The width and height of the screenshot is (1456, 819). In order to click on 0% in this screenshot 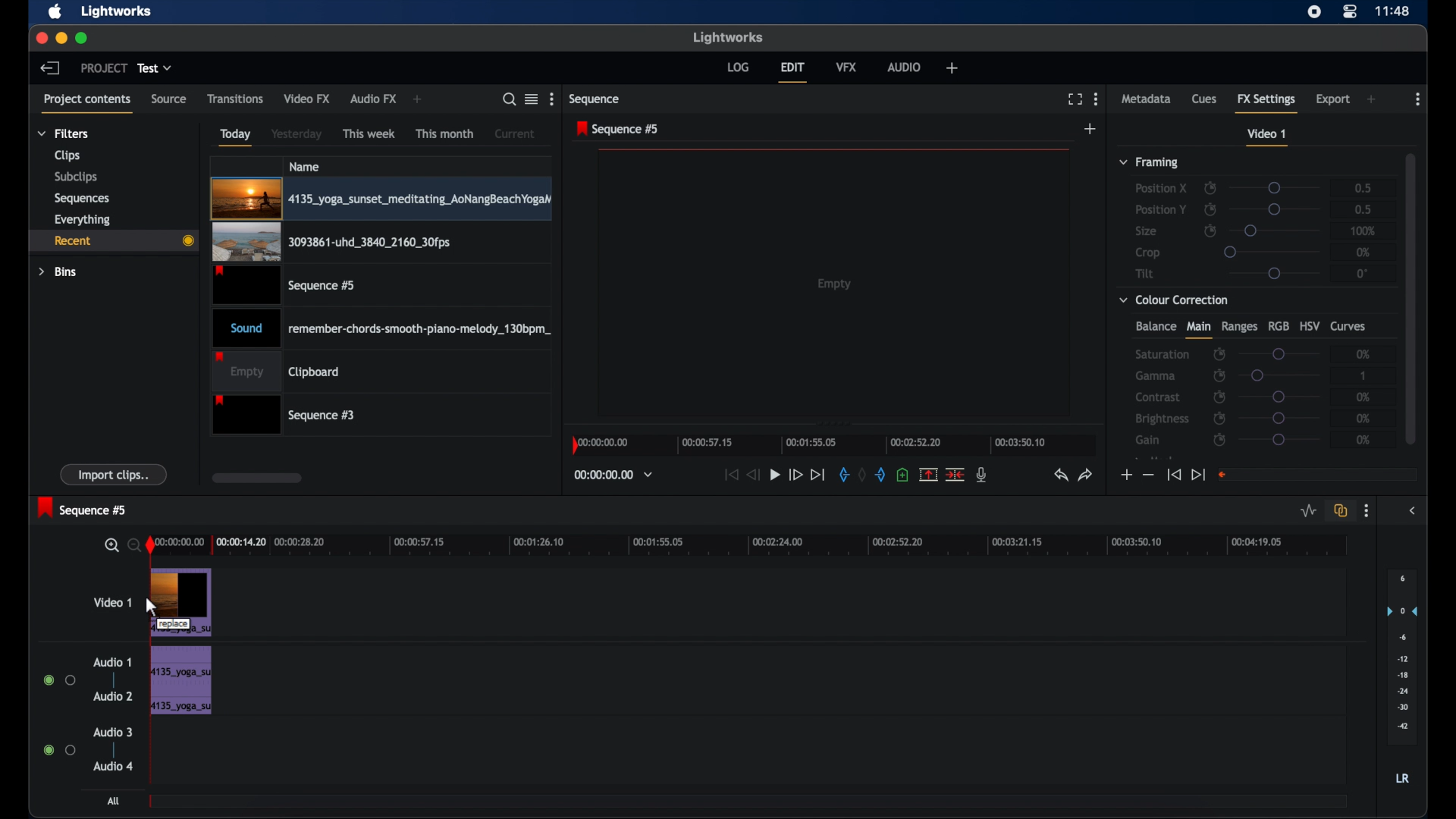, I will do `click(1364, 252)`.